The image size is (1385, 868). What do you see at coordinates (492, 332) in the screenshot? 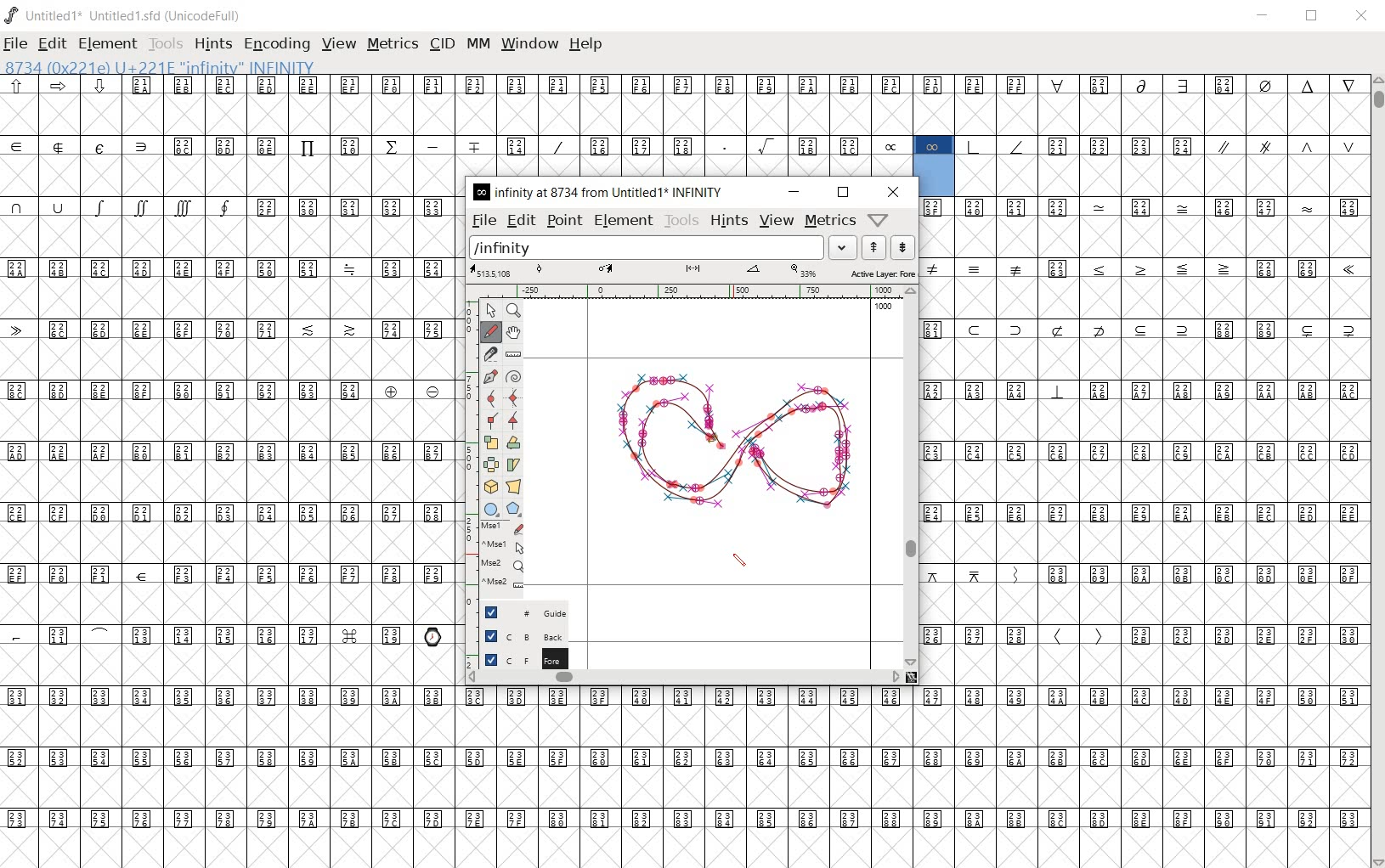
I see `draw a freehand curve` at bounding box center [492, 332].